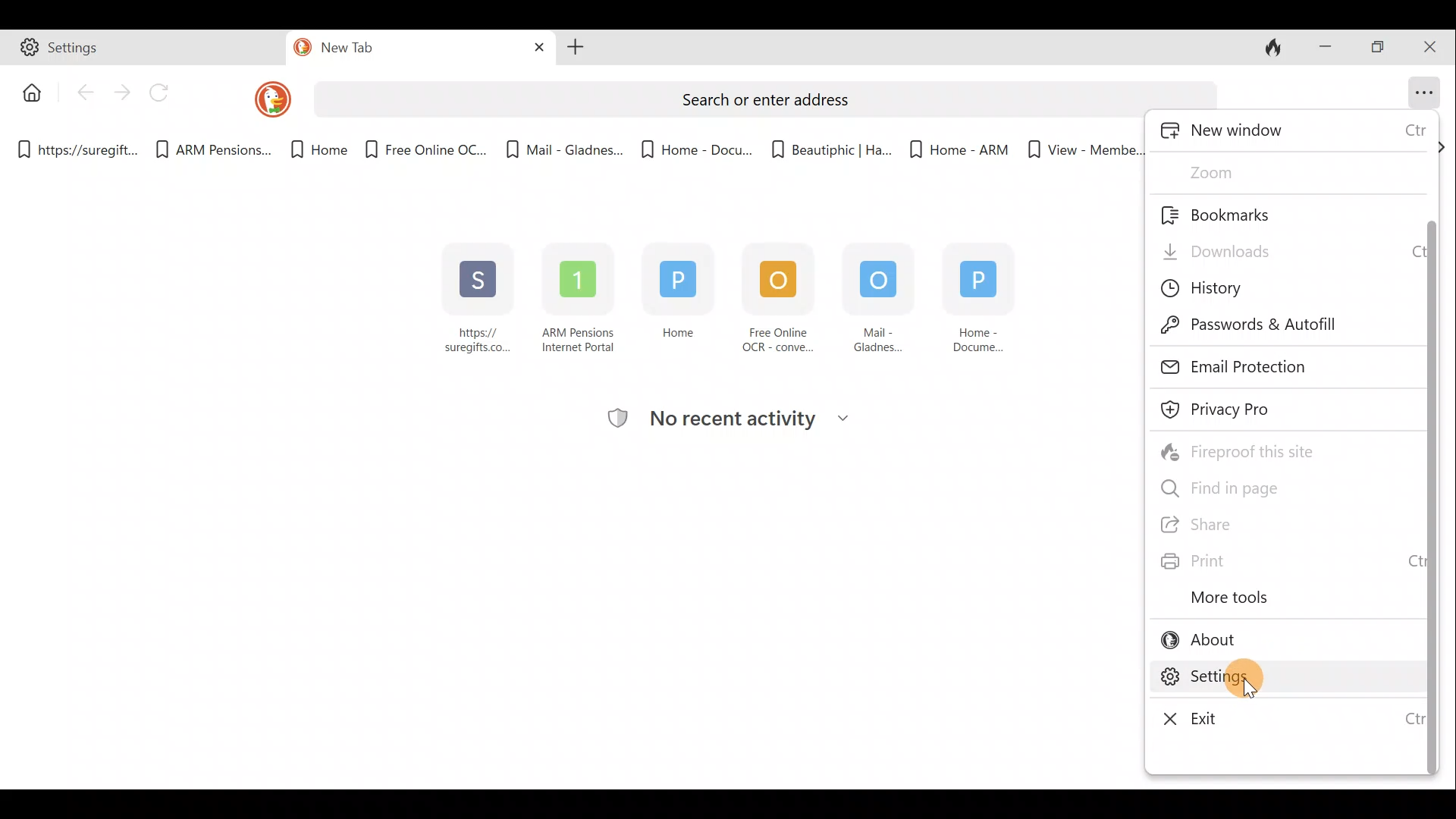 The image size is (1456, 819). I want to click on Bookmark 7, so click(830, 143).